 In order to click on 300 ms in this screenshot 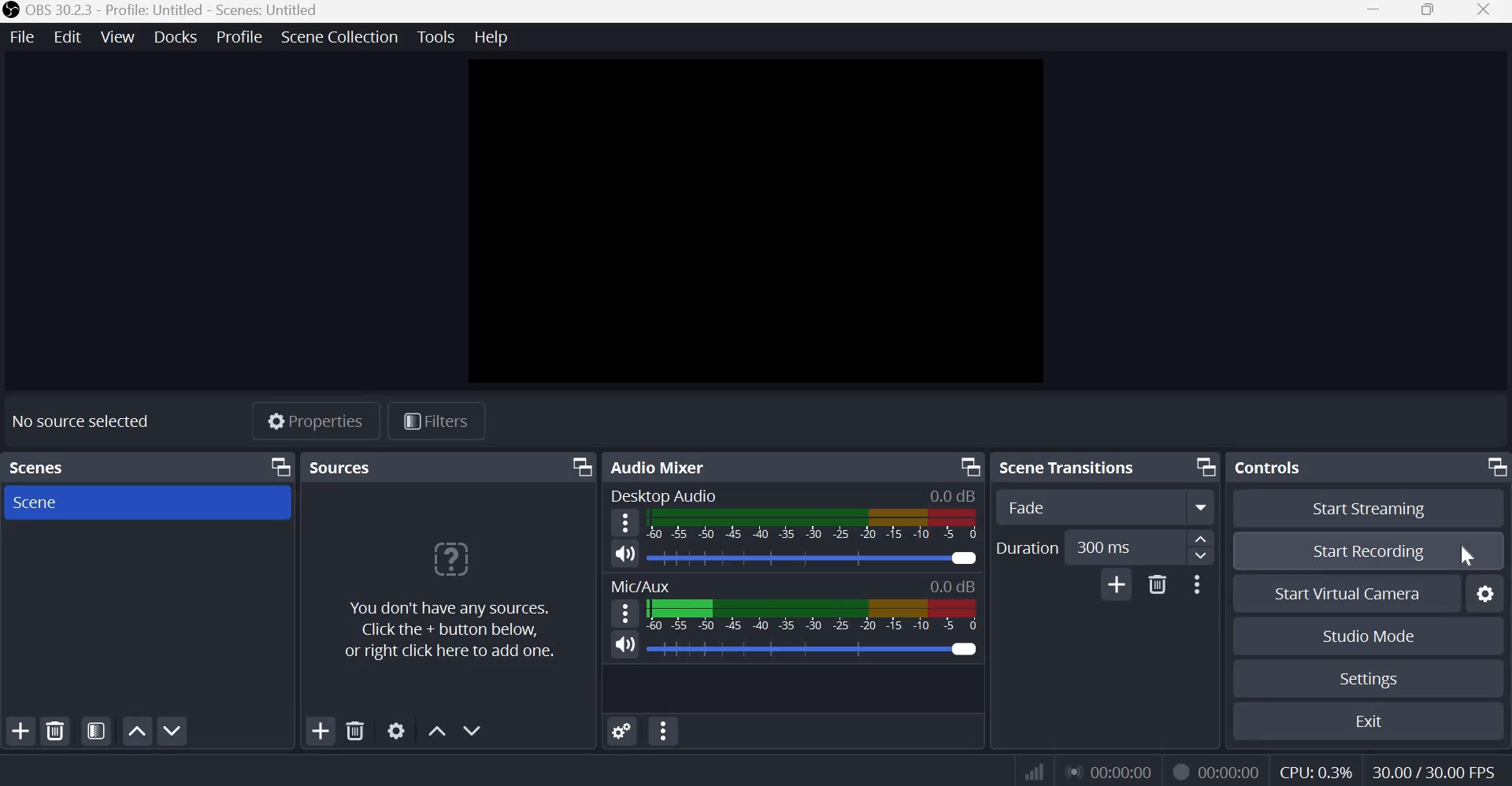, I will do `click(1125, 547)`.